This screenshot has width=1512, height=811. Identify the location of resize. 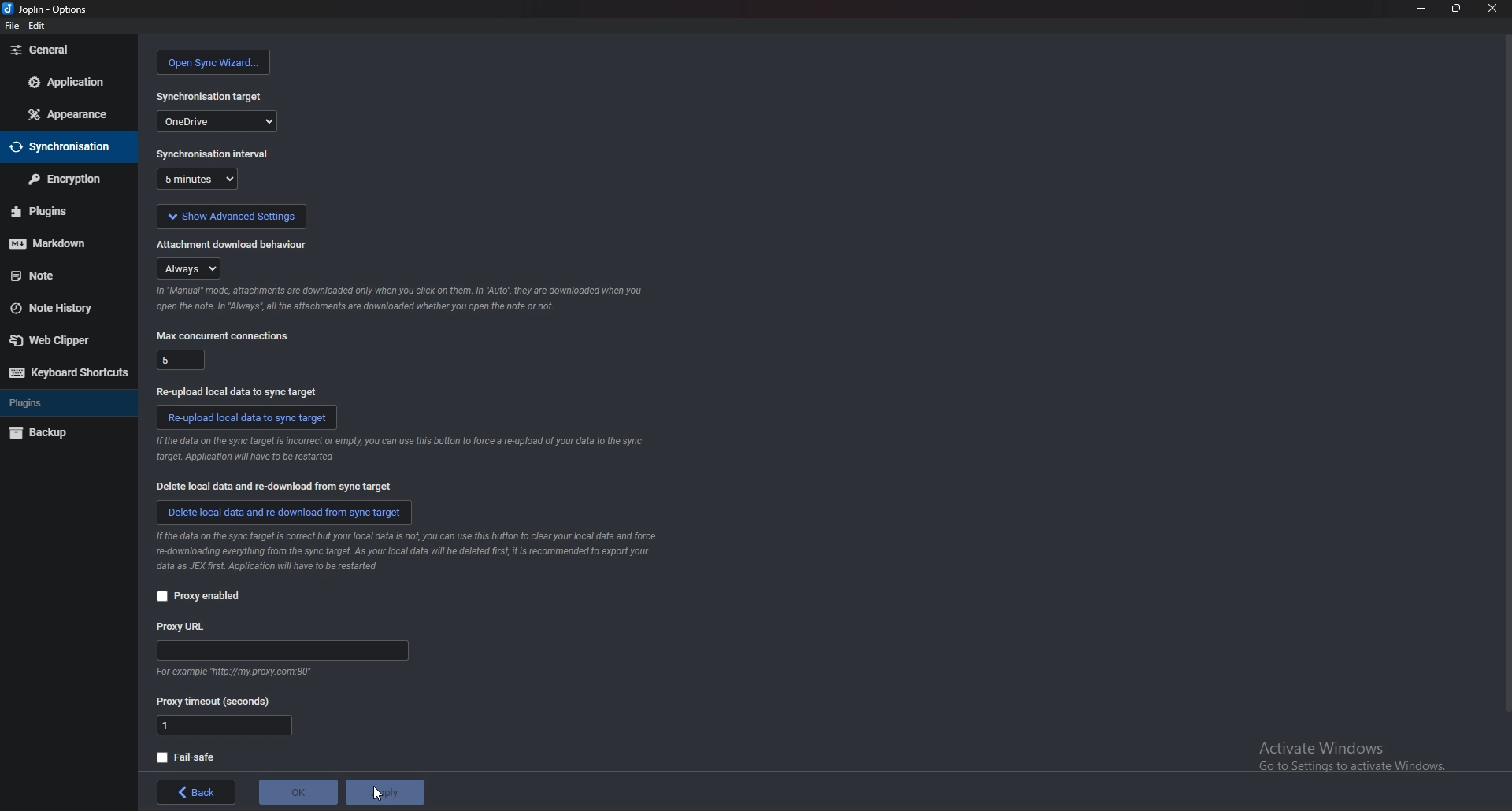
(1458, 9).